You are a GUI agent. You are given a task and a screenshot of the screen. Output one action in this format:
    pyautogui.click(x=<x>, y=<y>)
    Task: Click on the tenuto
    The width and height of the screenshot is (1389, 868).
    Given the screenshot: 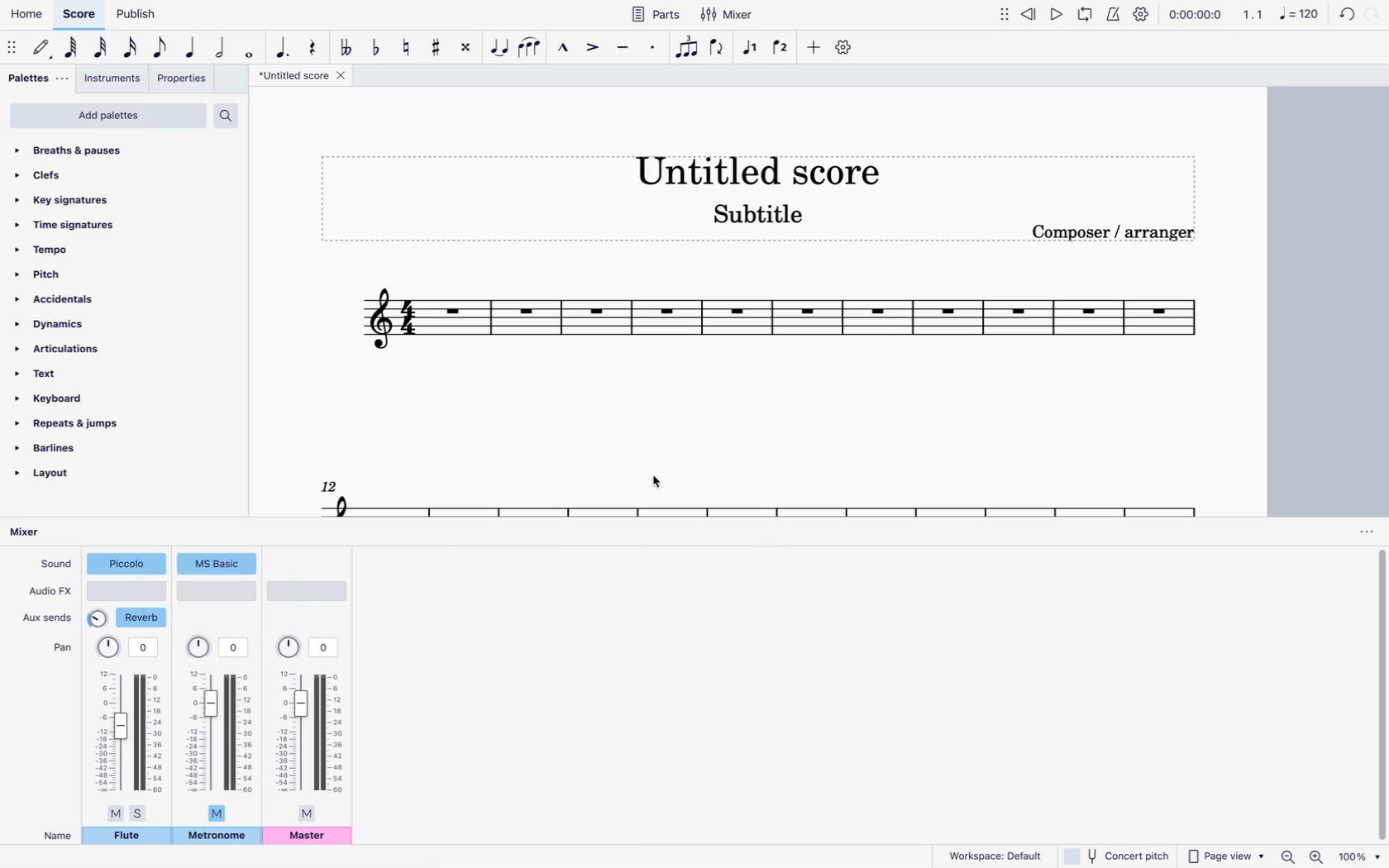 What is the action you would take?
    pyautogui.click(x=624, y=47)
    